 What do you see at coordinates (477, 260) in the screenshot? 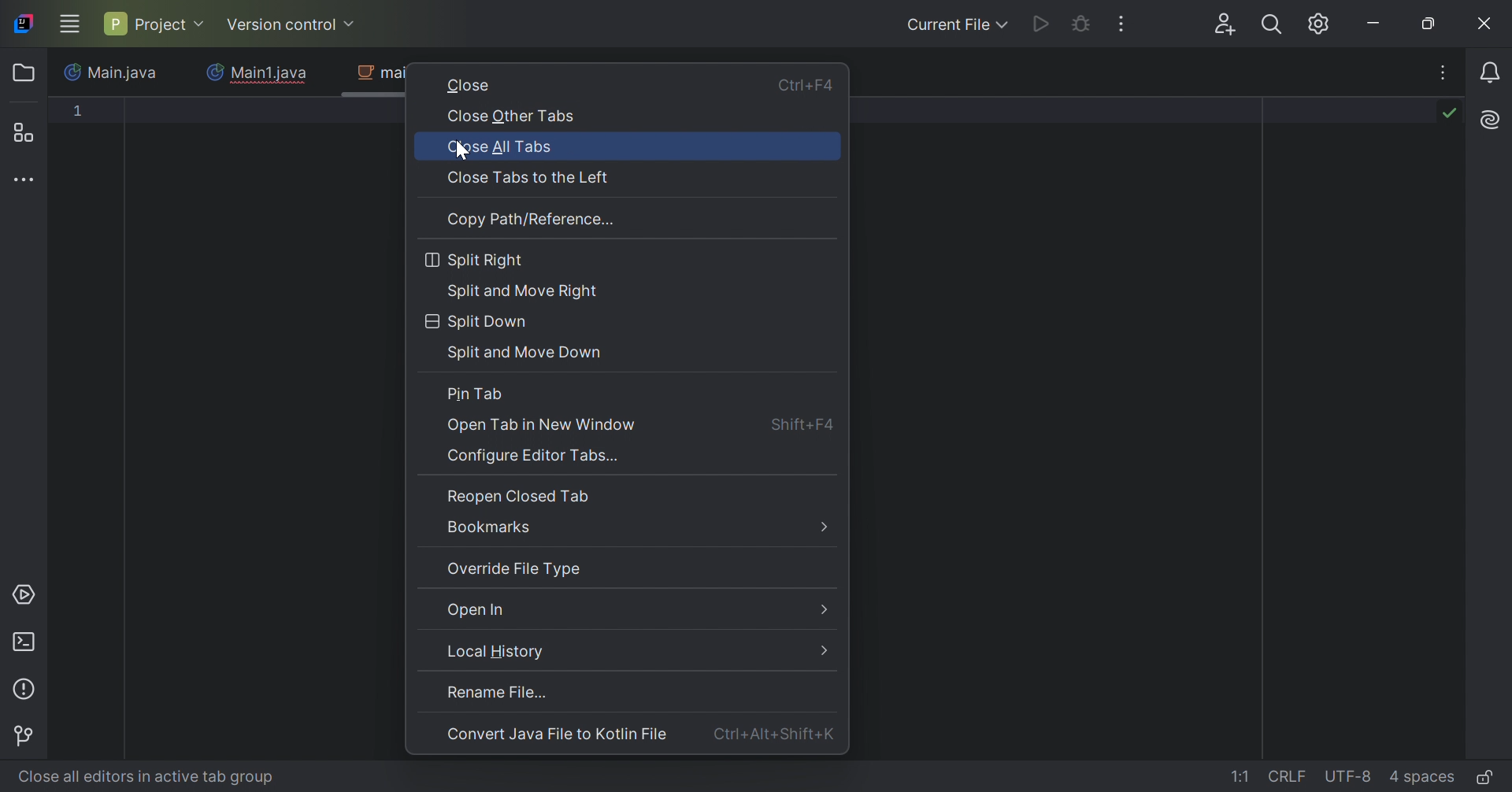
I see `Split Right` at bounding box center [477, 260].